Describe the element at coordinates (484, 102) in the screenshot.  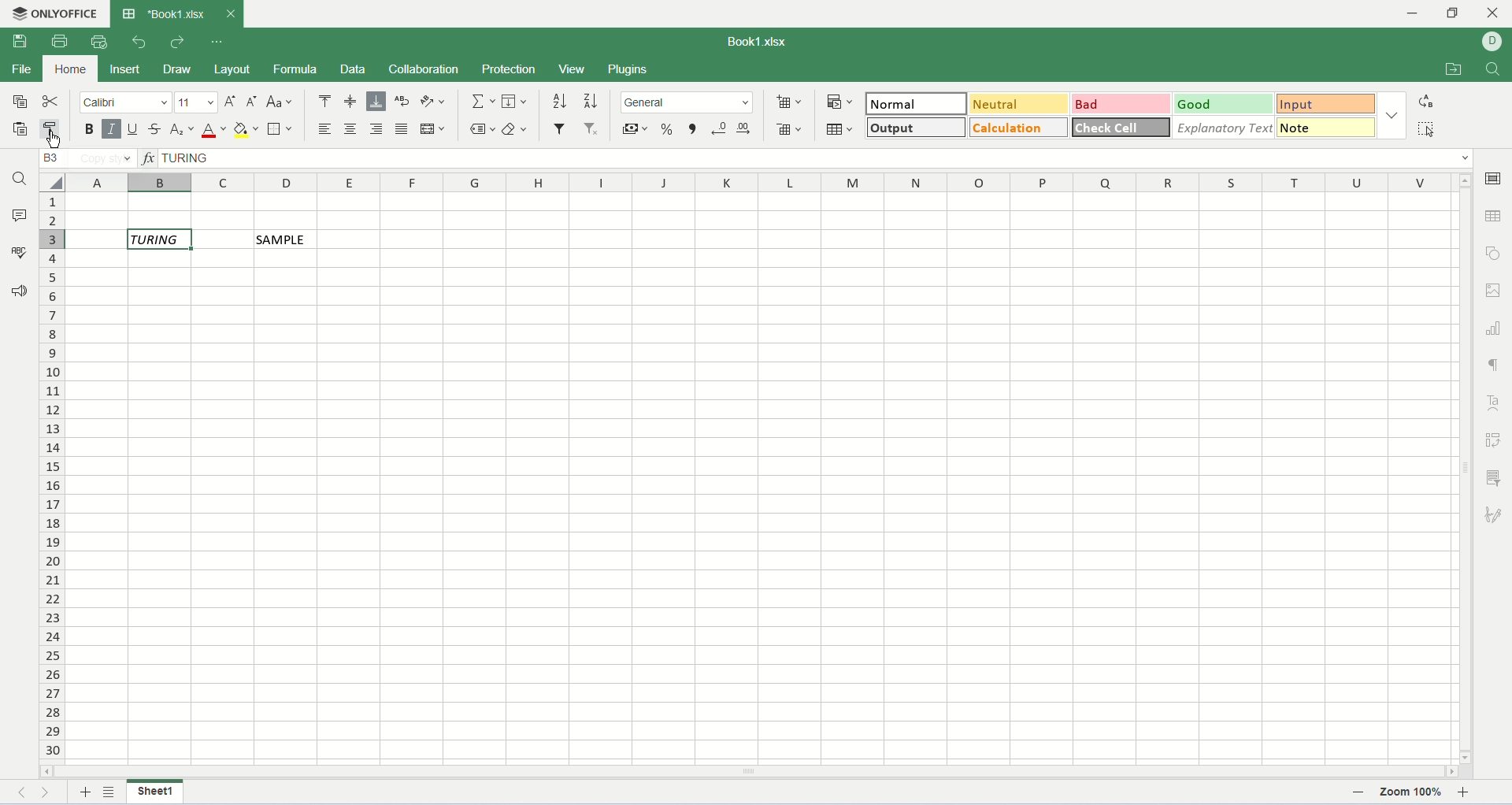
I see `summation` at that location.